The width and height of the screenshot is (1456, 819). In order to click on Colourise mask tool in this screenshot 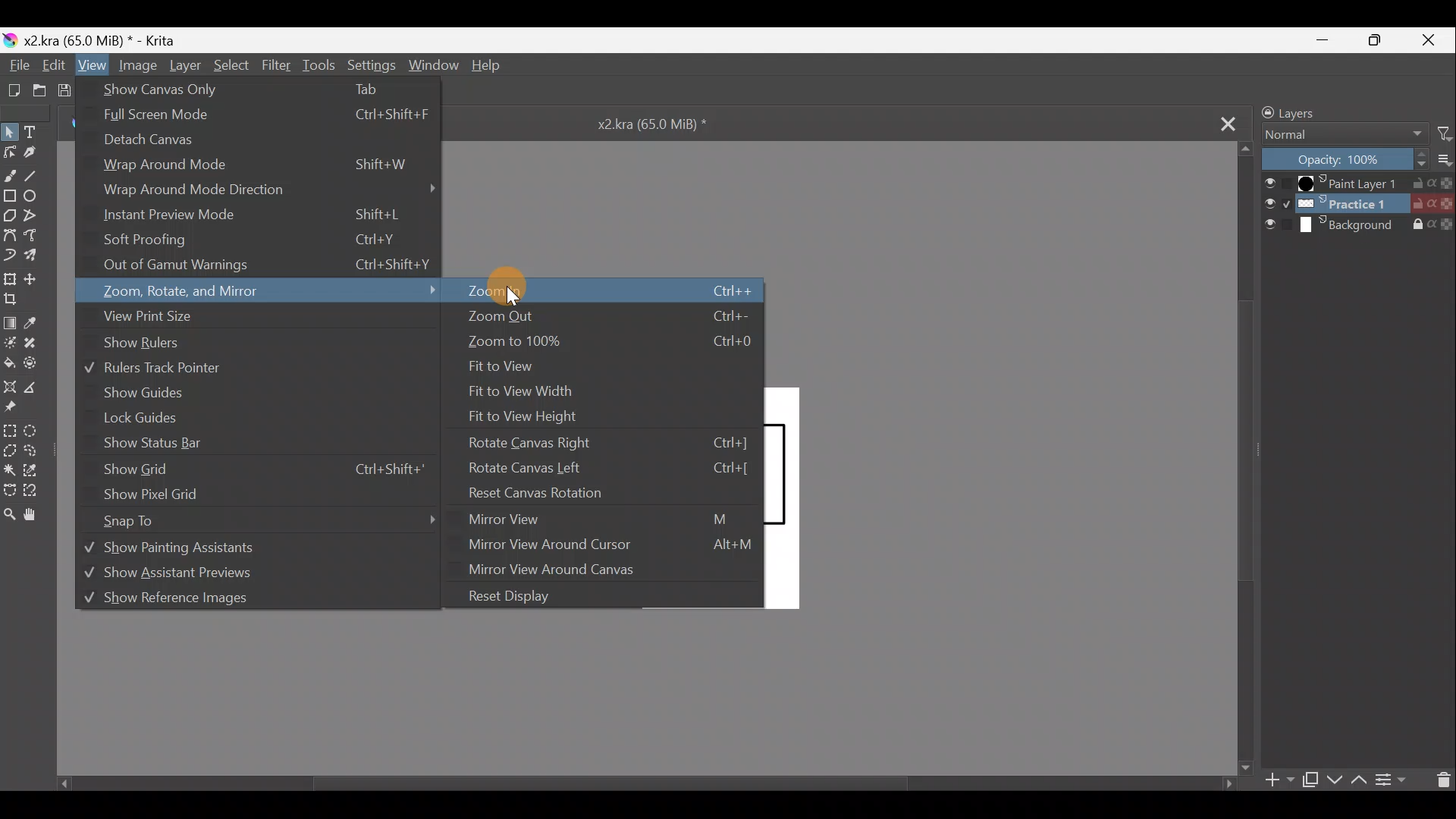, I will do `click(10, 345)`.